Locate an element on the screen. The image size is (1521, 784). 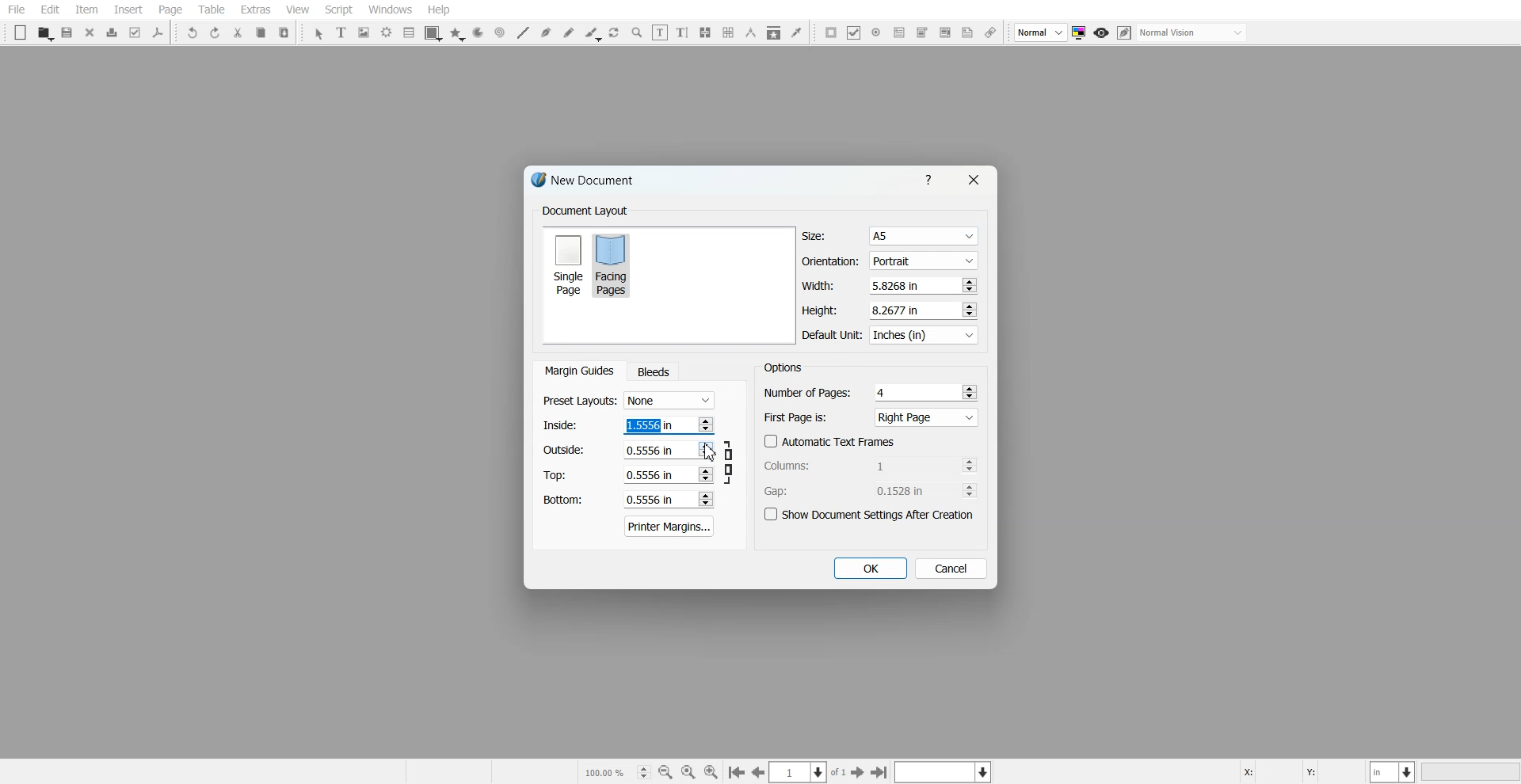
Render Frame is located at coordinates (387, 32).